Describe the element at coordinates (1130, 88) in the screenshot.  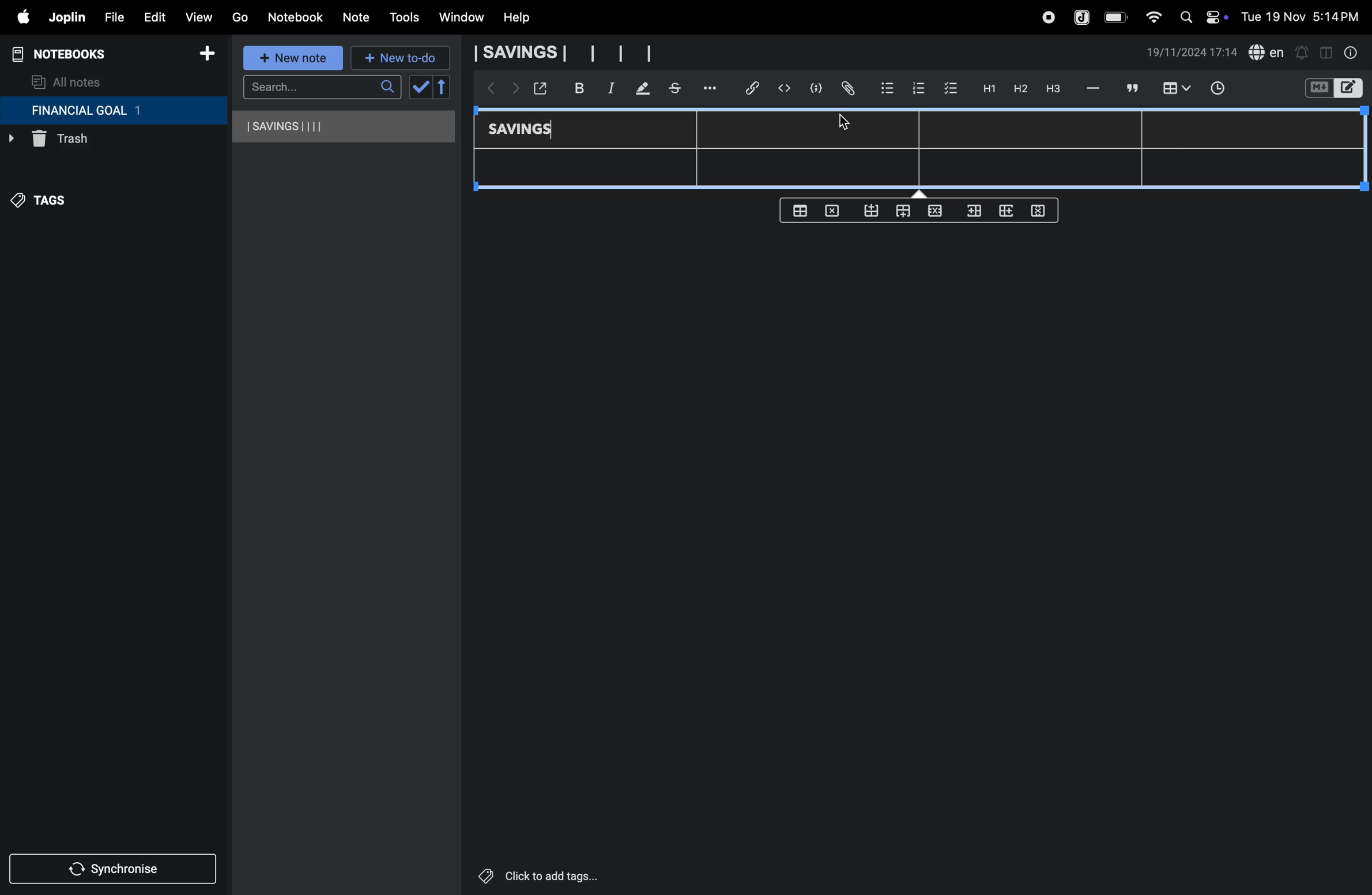
I see `comment` at that location.